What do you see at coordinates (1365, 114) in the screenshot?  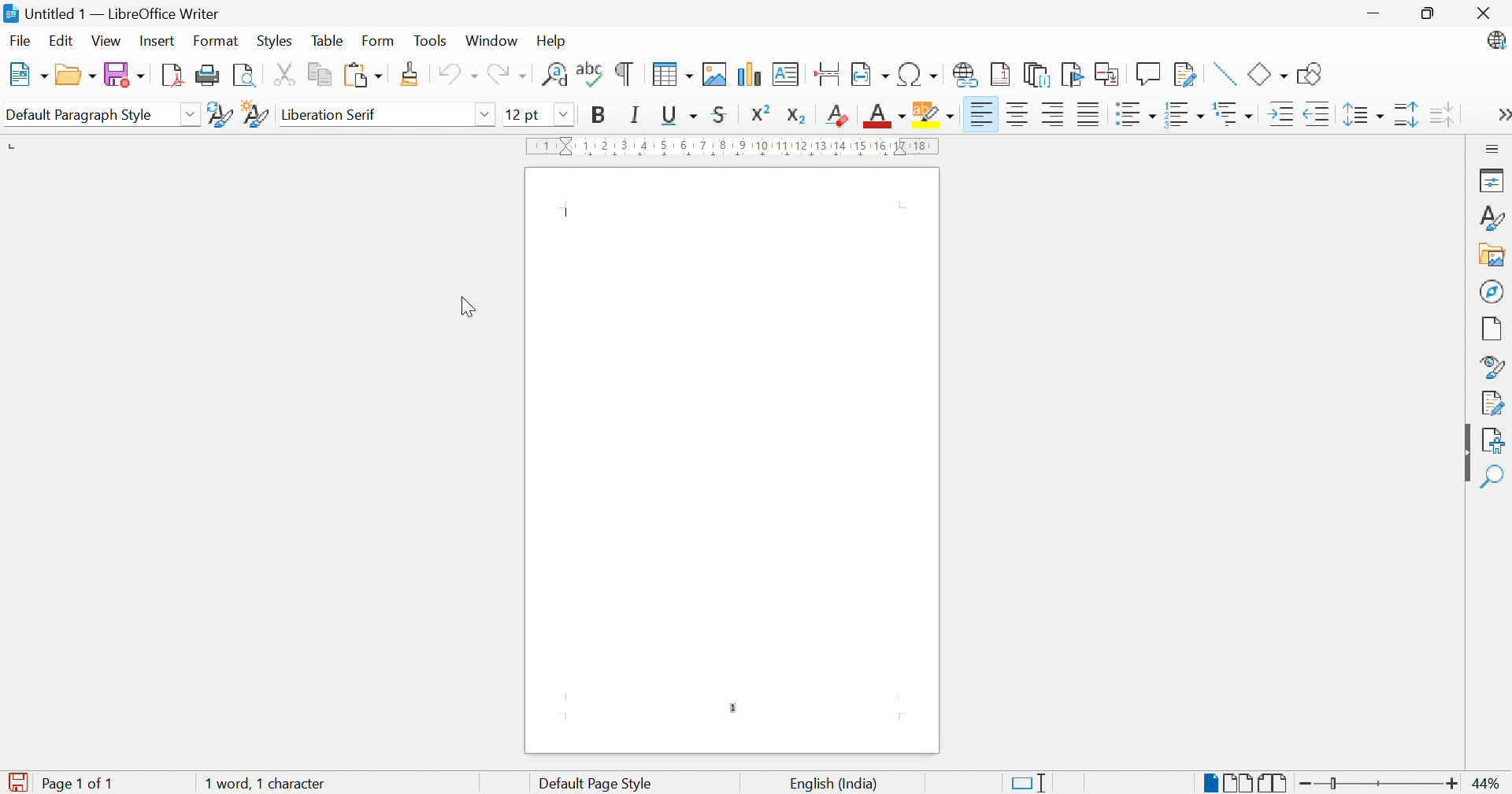 I see `Set line spacing` at bounding box center [1365, 114].